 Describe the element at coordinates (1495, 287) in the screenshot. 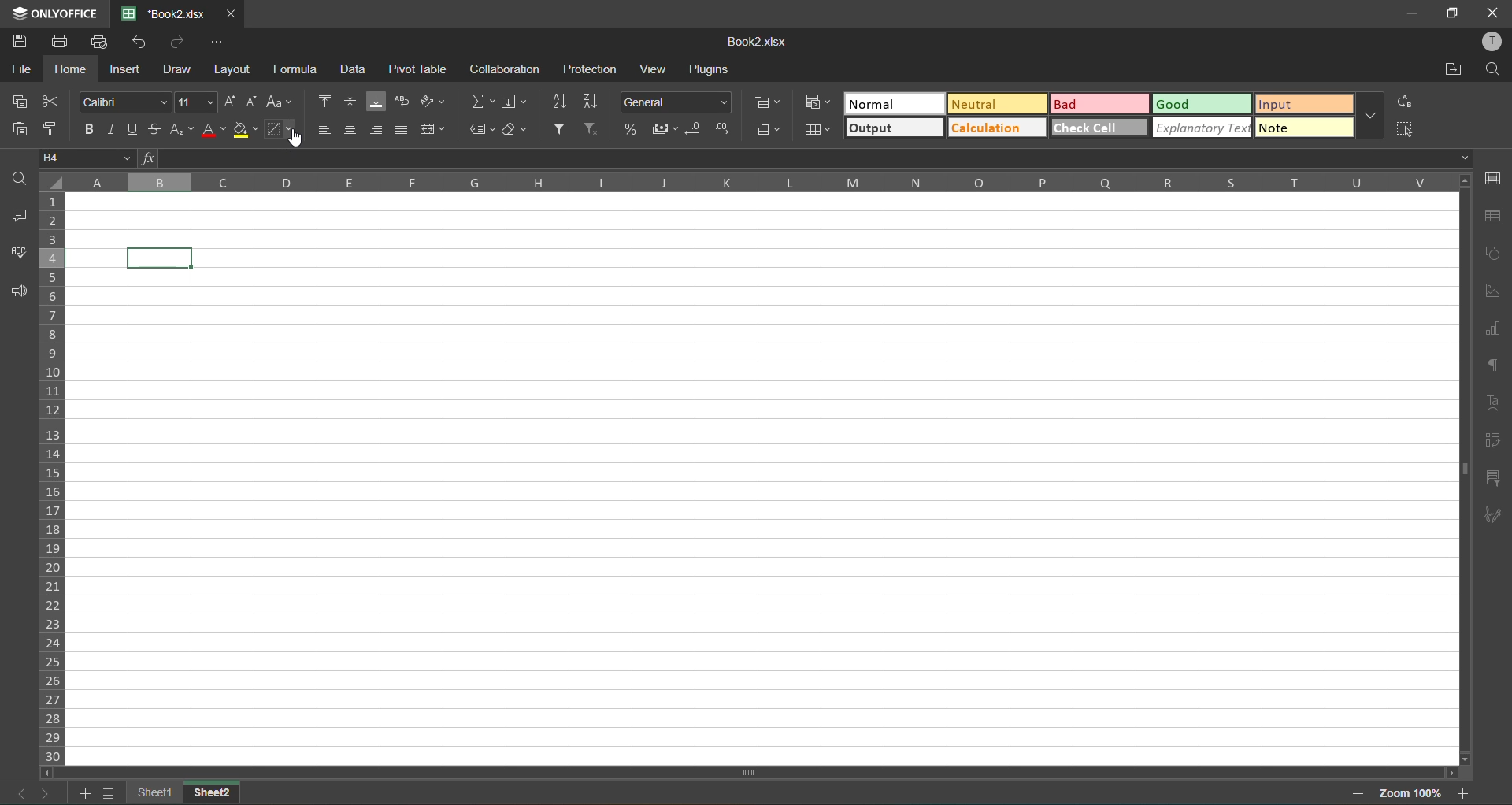

I see `images` at that location.